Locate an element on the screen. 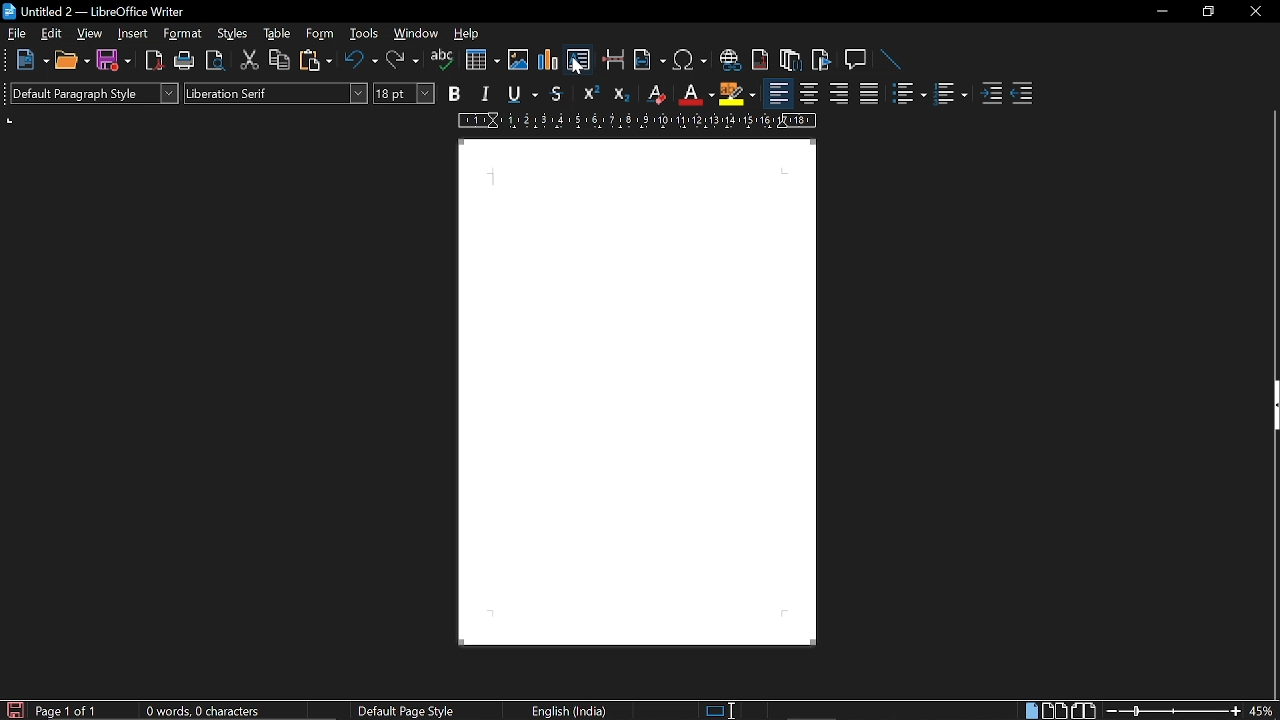 The image size is (1280, 720). scale is located at coordinates (637, 121).